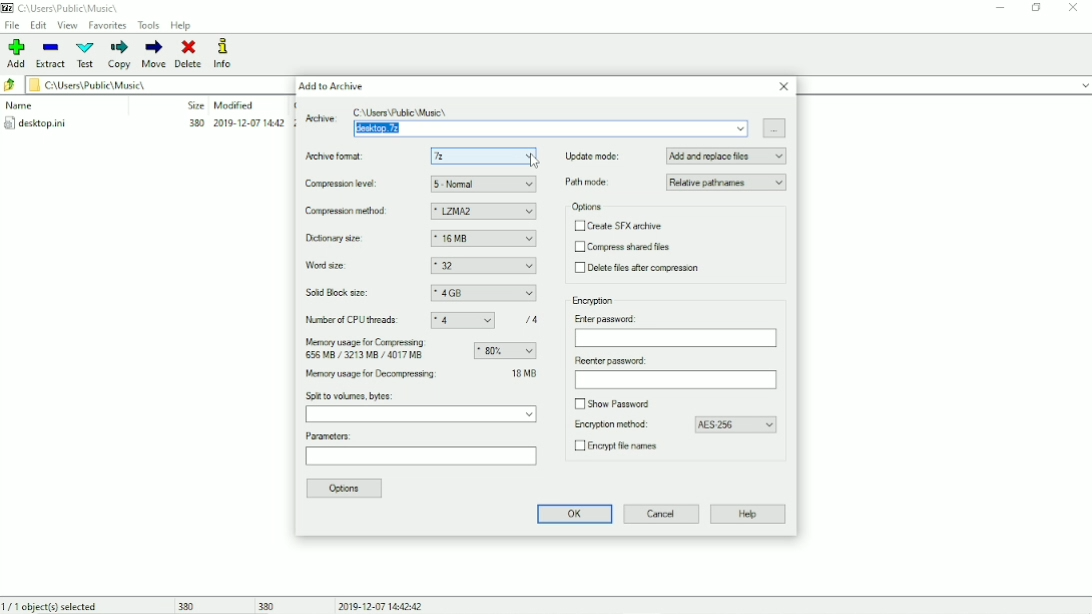  Describe the element at coordinates (425, 157) in the screenshot. I see `Archive format` at that location.